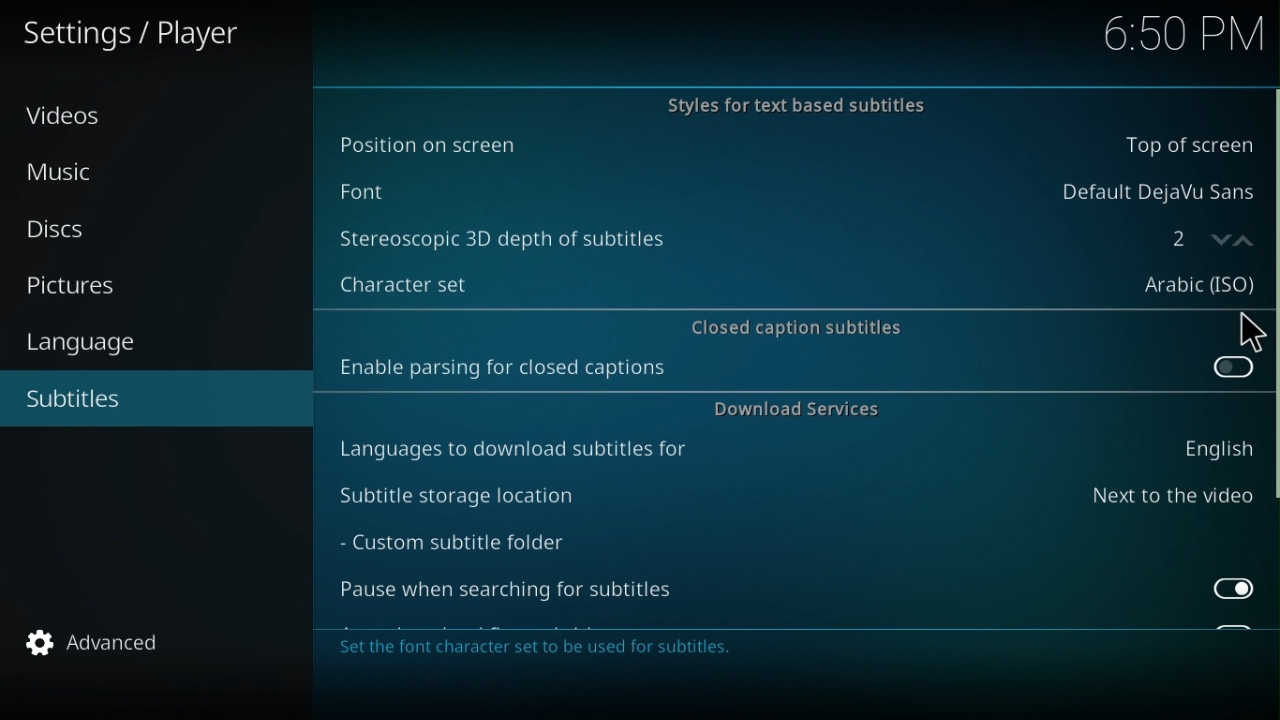 This screenshot has width=1280, height=720. I want to click on Enable parsing for closed captions, so click(751, 372).